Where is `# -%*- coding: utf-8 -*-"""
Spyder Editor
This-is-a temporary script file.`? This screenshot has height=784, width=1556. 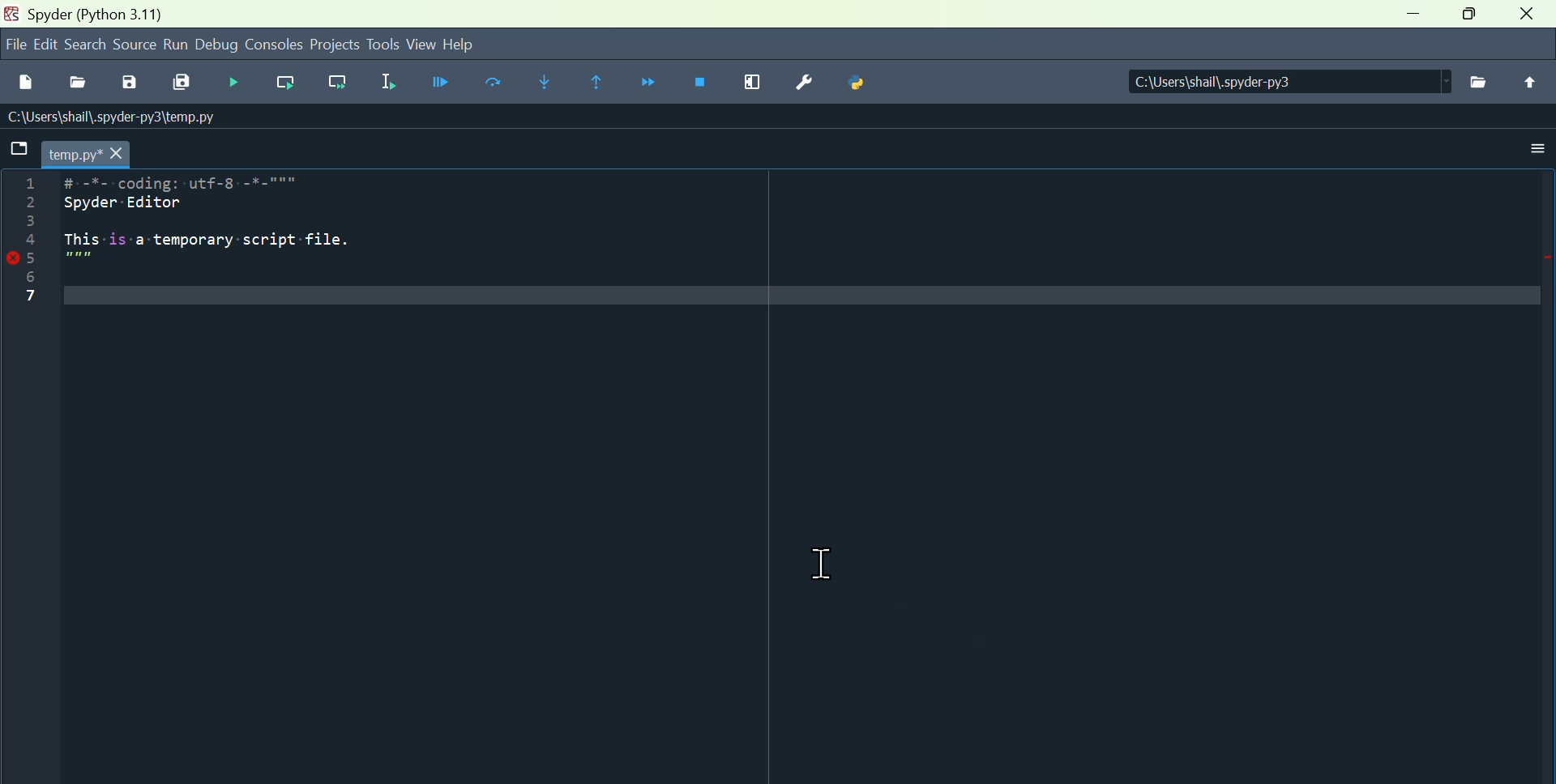 # -%*- coding: utf-8 -*-"""
Spyder Editor
This-is-a temporary script file. is located at coordinates (217, 226).